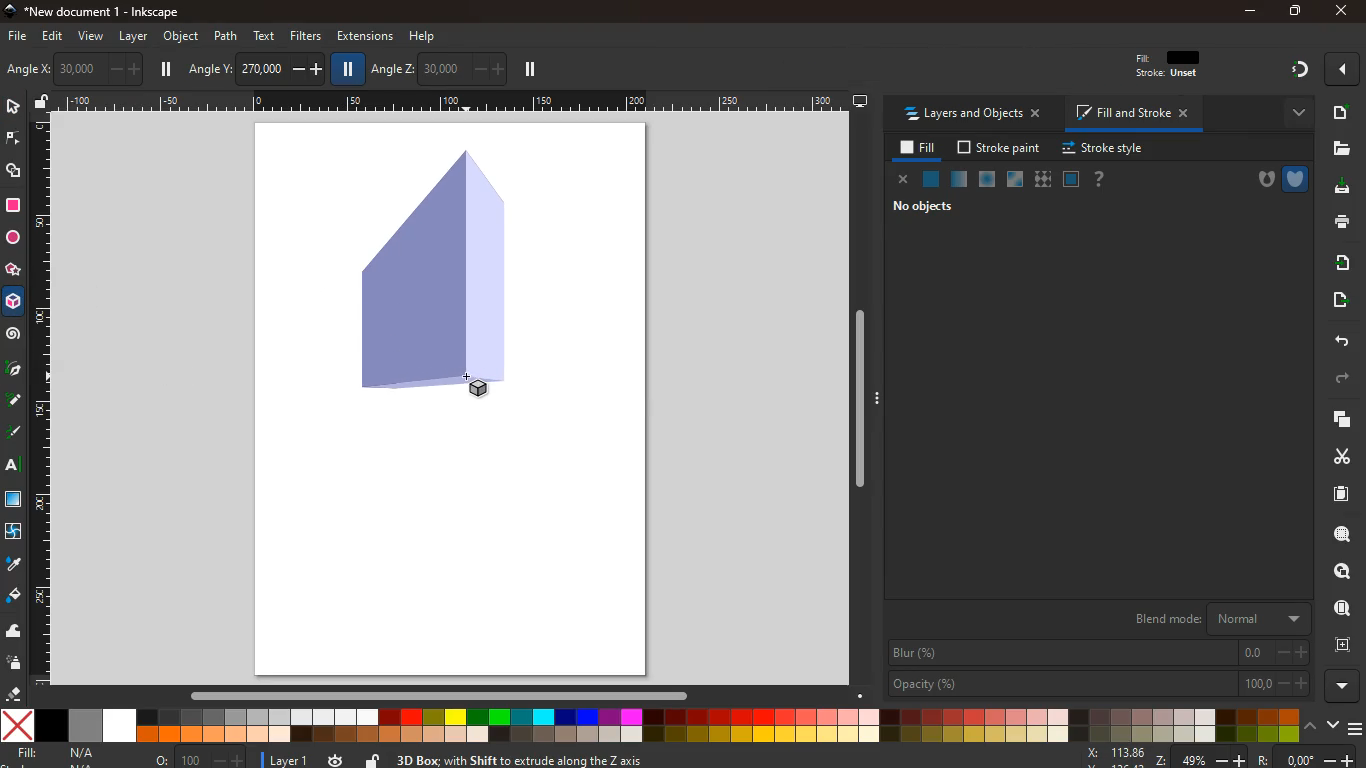 This screenshot has width=1366, height=768. Describe the element at coordinates (1100, 149) in the screenshot. I see `stroke style` at that location.